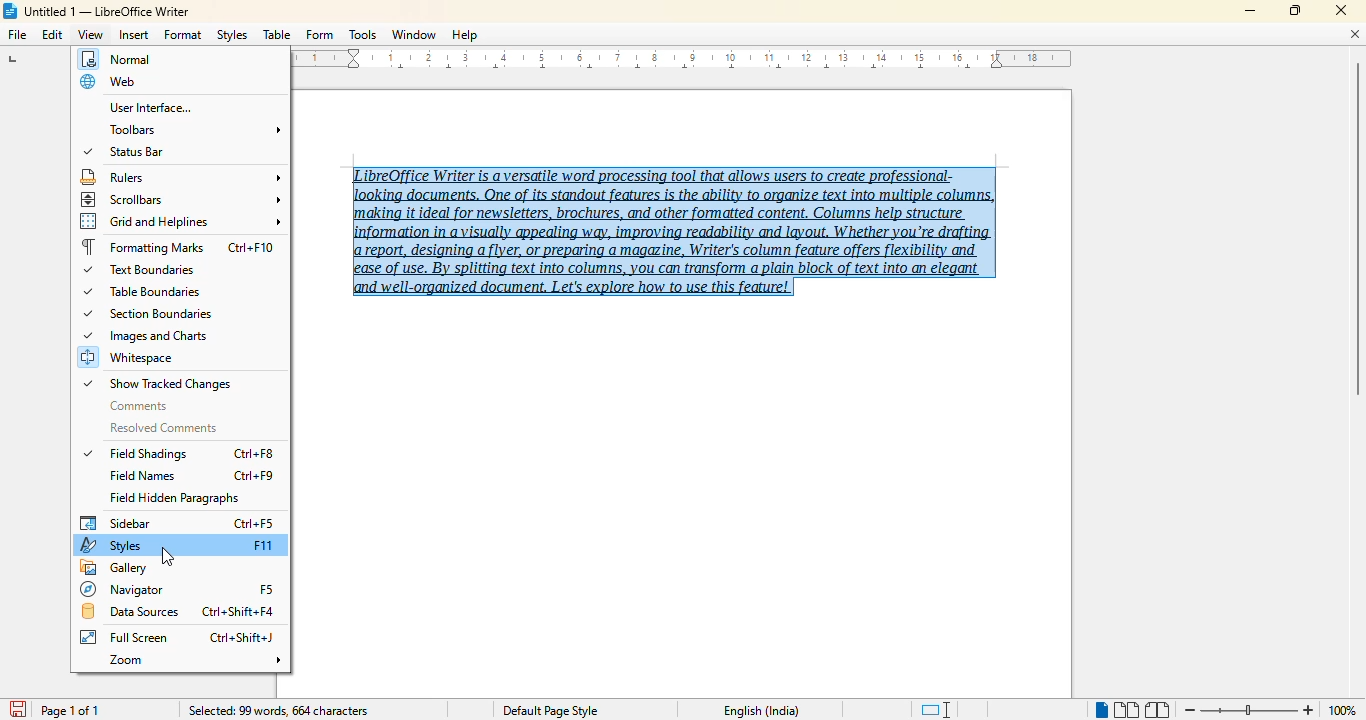  I want to click on close document, so click(1356, 34).